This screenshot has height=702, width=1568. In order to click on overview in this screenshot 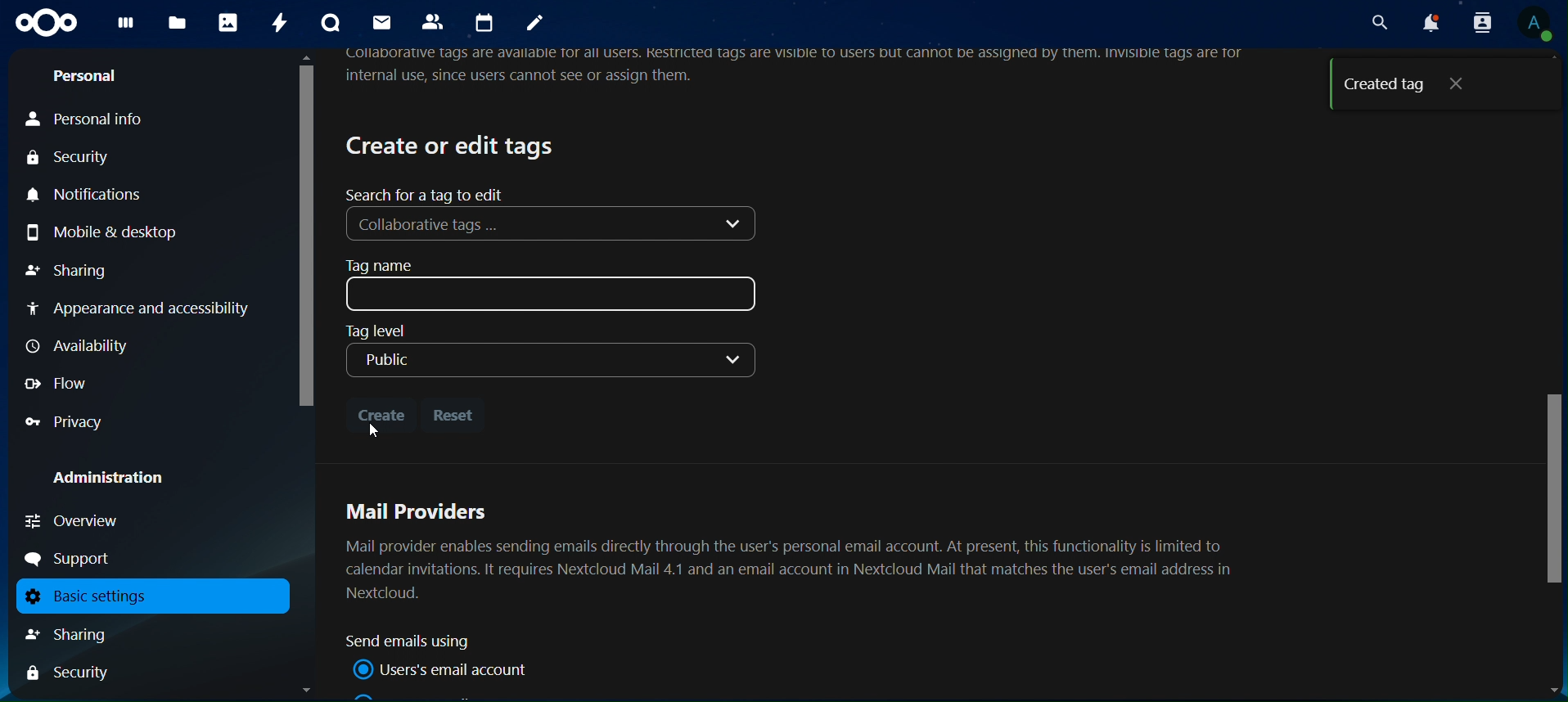, I will do `click(74, 520)`.